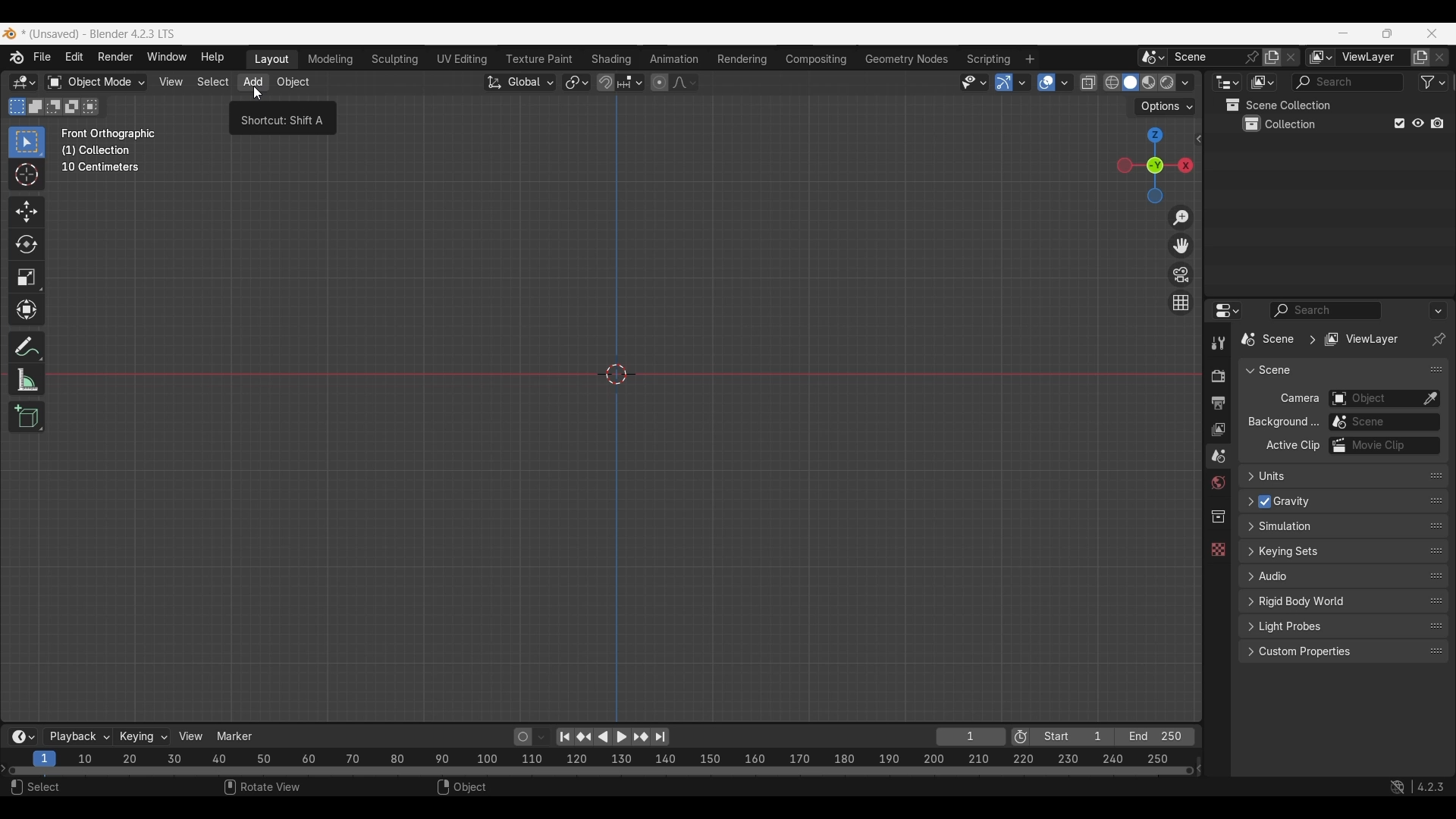  Describe the element at coordinates (27, 417) in the screenshot. I see `Add cube` at that location.